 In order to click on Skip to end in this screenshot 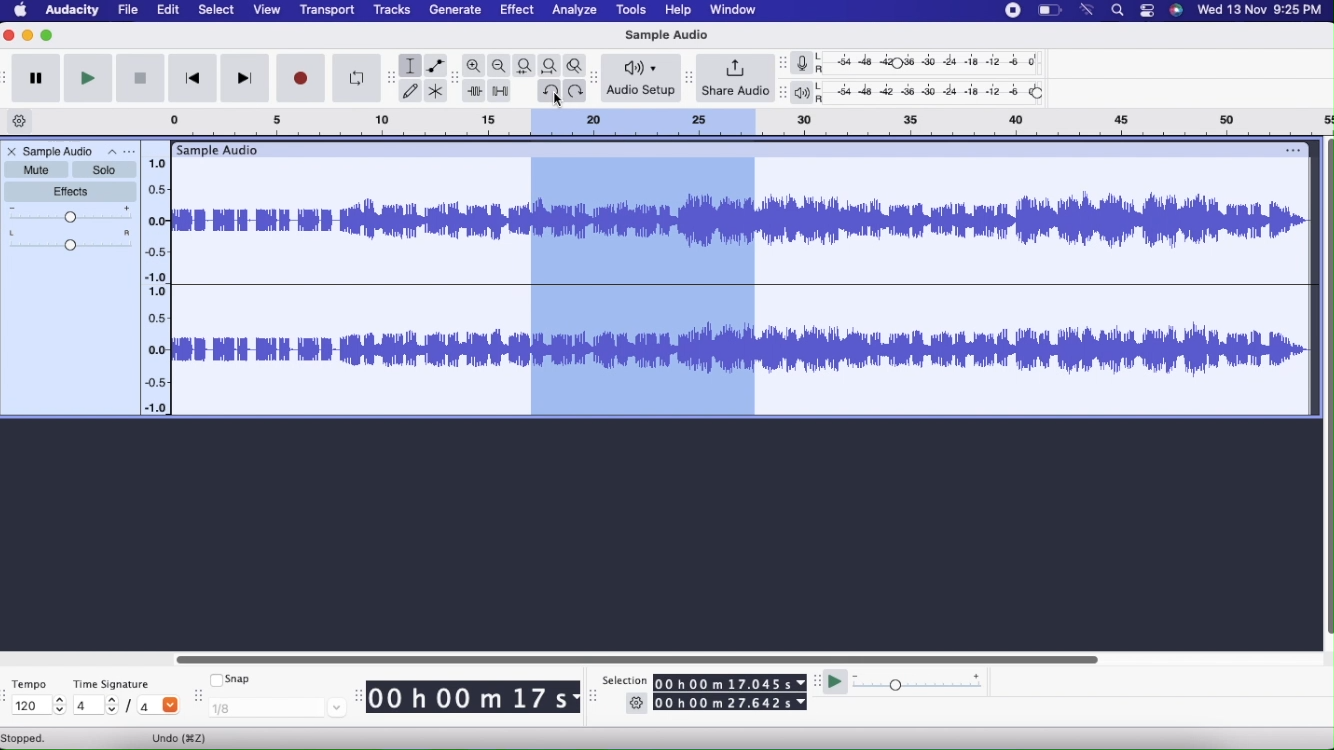, I will do `click(247, 78)`.